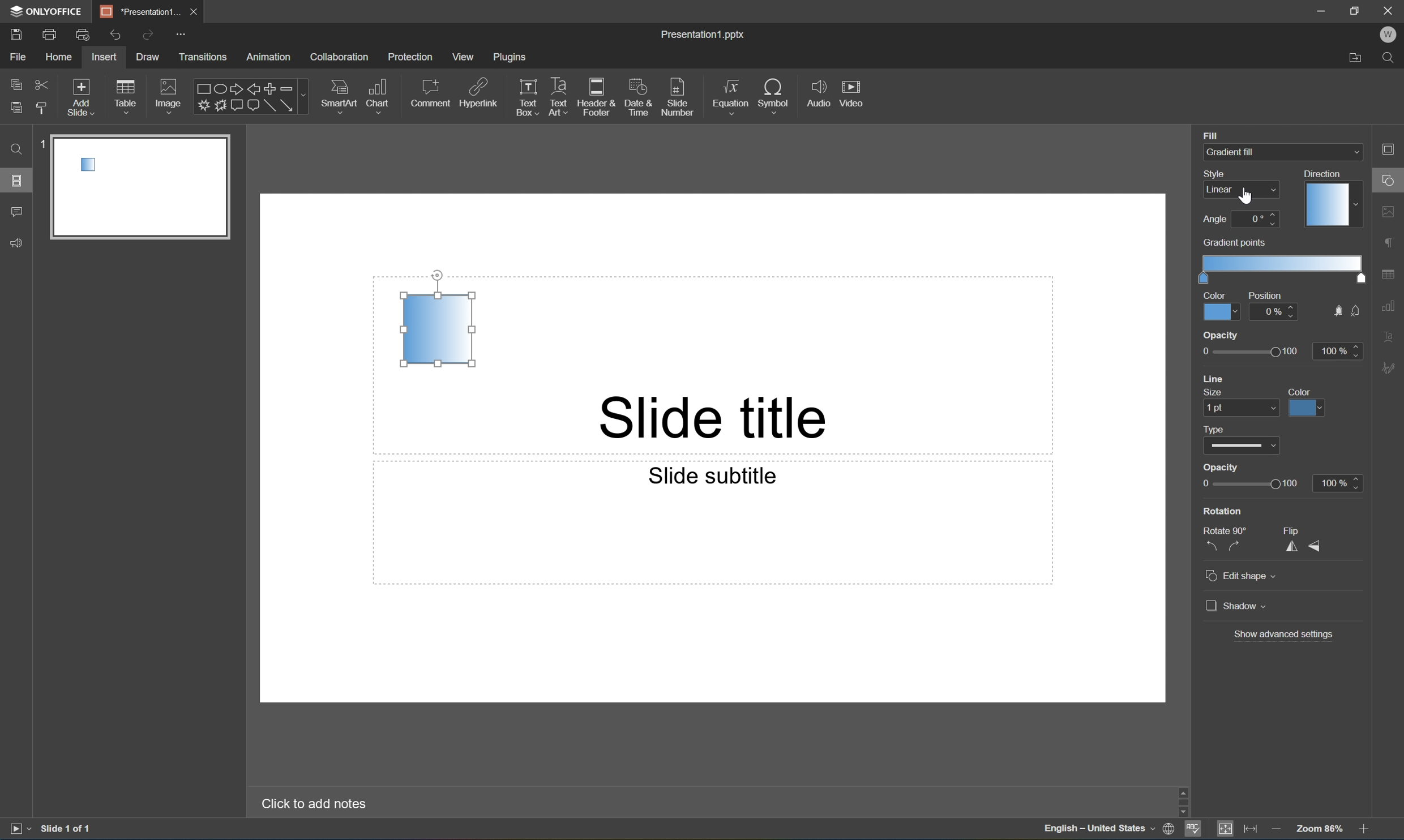 Image resolution: width=1404 pixels, height=840 pixels. I want to click on Rectangle, so click(269, 106).